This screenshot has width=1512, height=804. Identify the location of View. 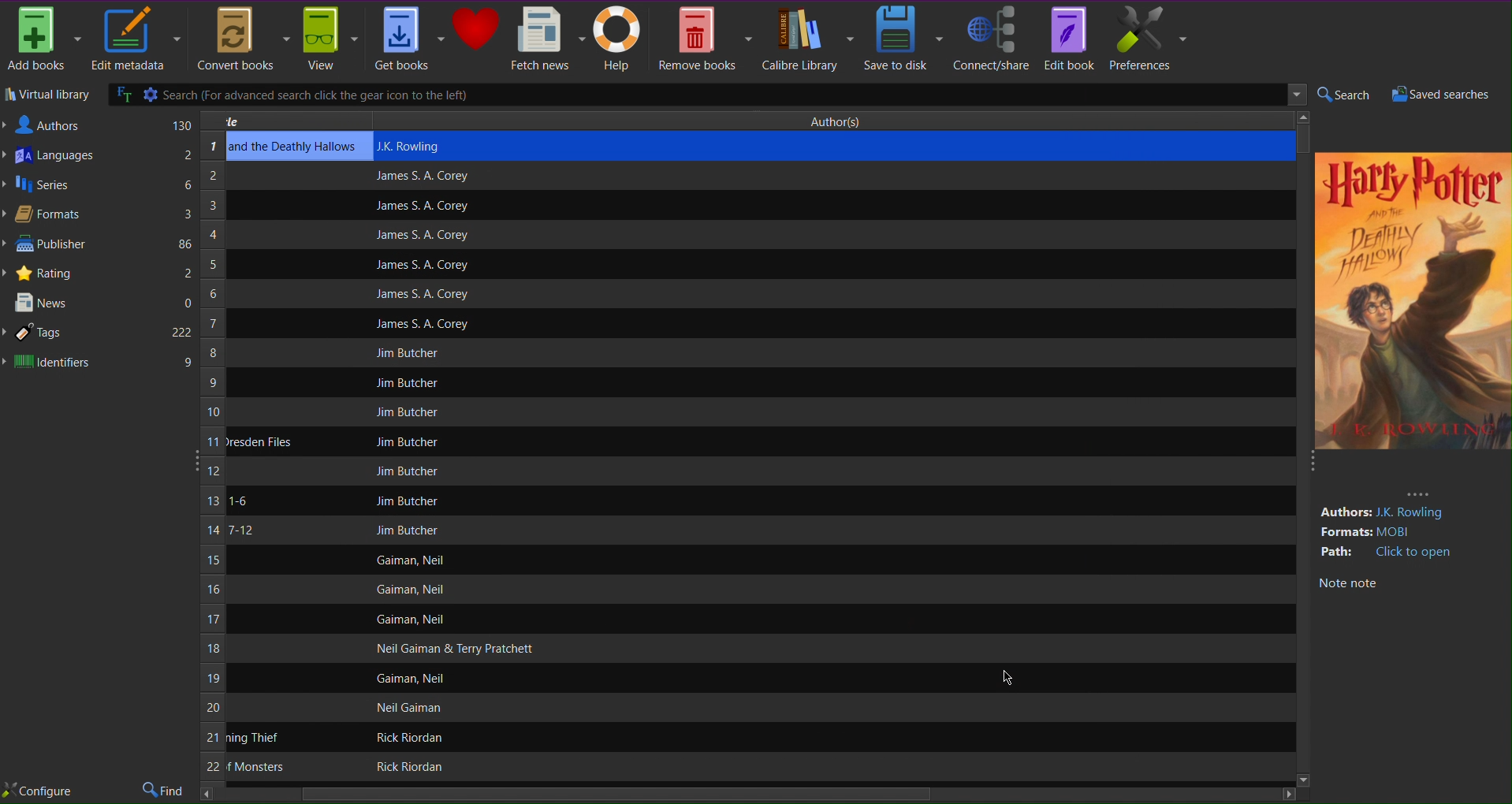
(330, 40).